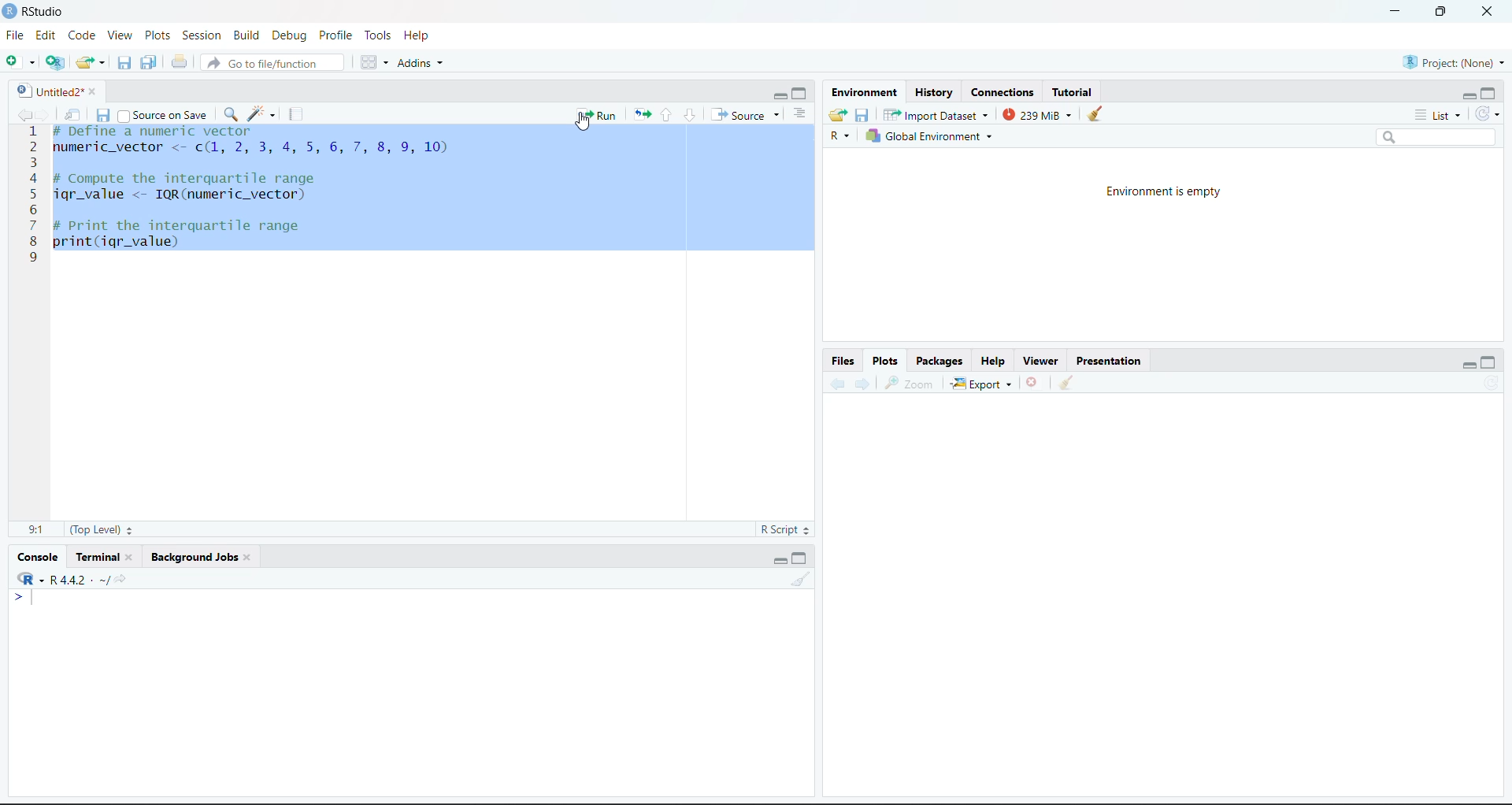 This screenshot has width=1512, height=805. I want to click on R.4.4.2~/, so click(81, 581).